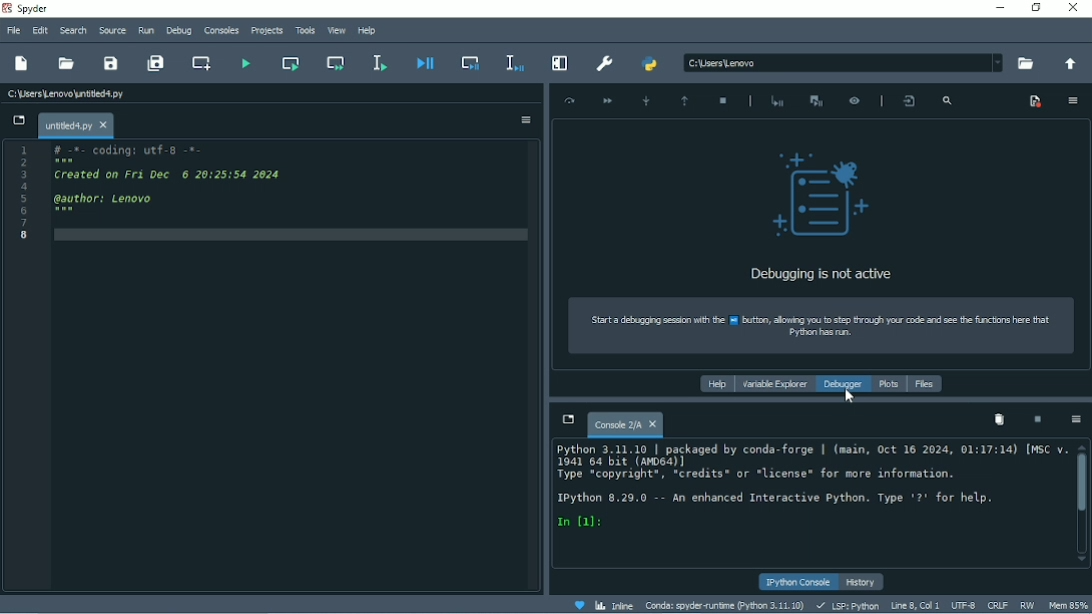  I want to click on Change to parent directory, so click(1067, 63).